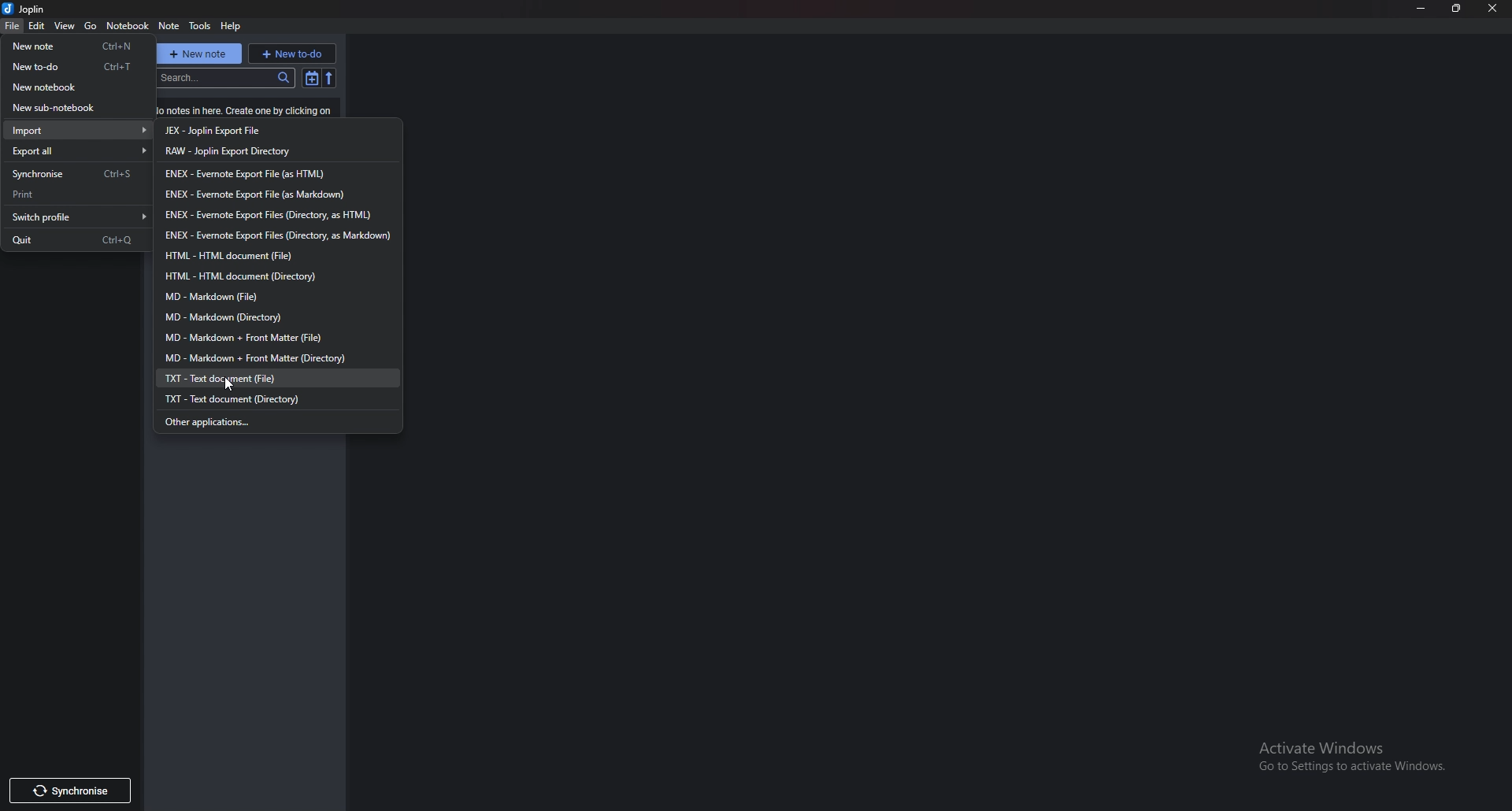 Image resolution: width=1512 pixels, height=811 pixels. Describe the element at coordinates (313, 78) in the screenshot. I see `Toggle sort order` at that location.